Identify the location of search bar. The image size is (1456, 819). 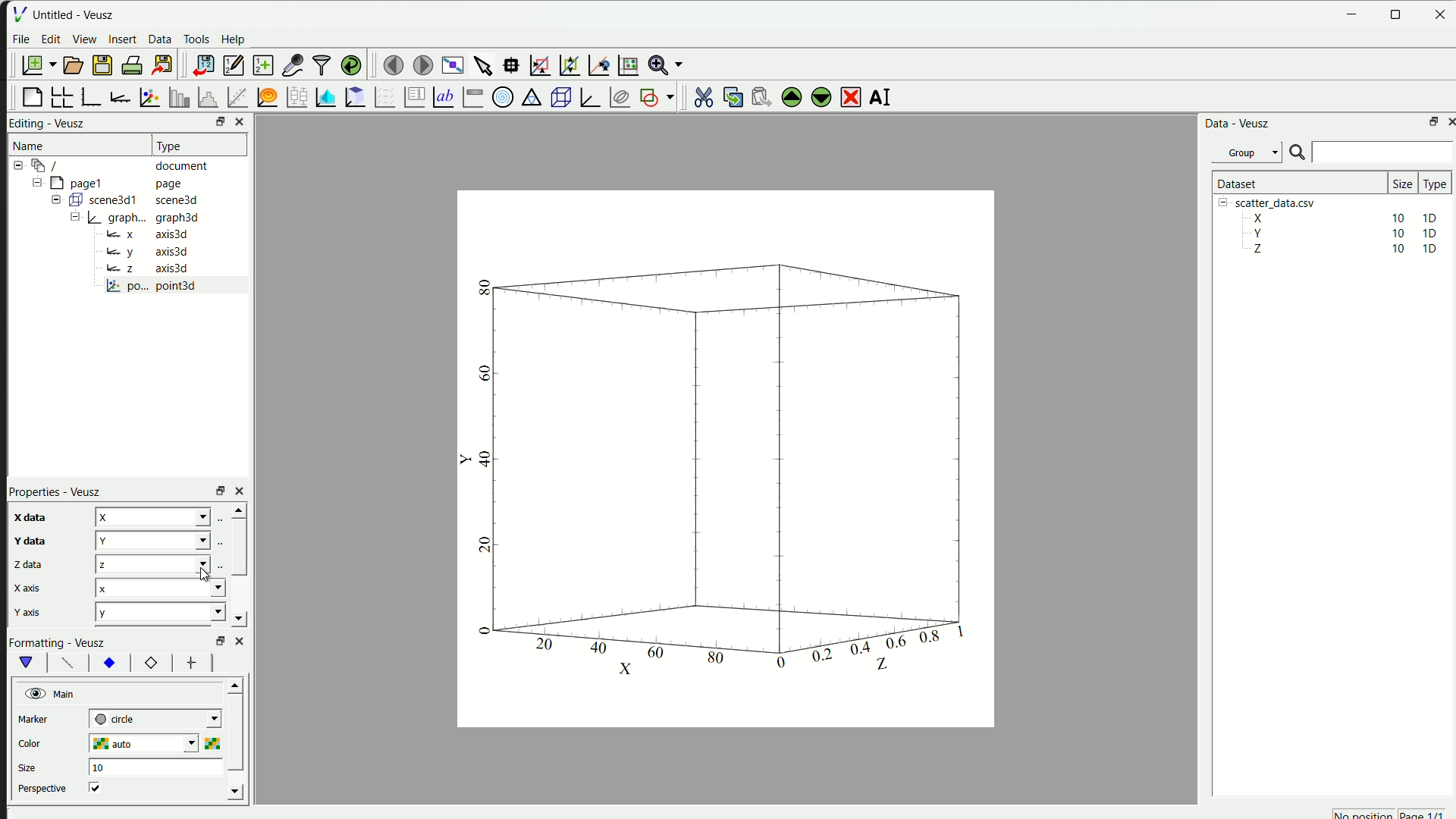
(1385, 152).